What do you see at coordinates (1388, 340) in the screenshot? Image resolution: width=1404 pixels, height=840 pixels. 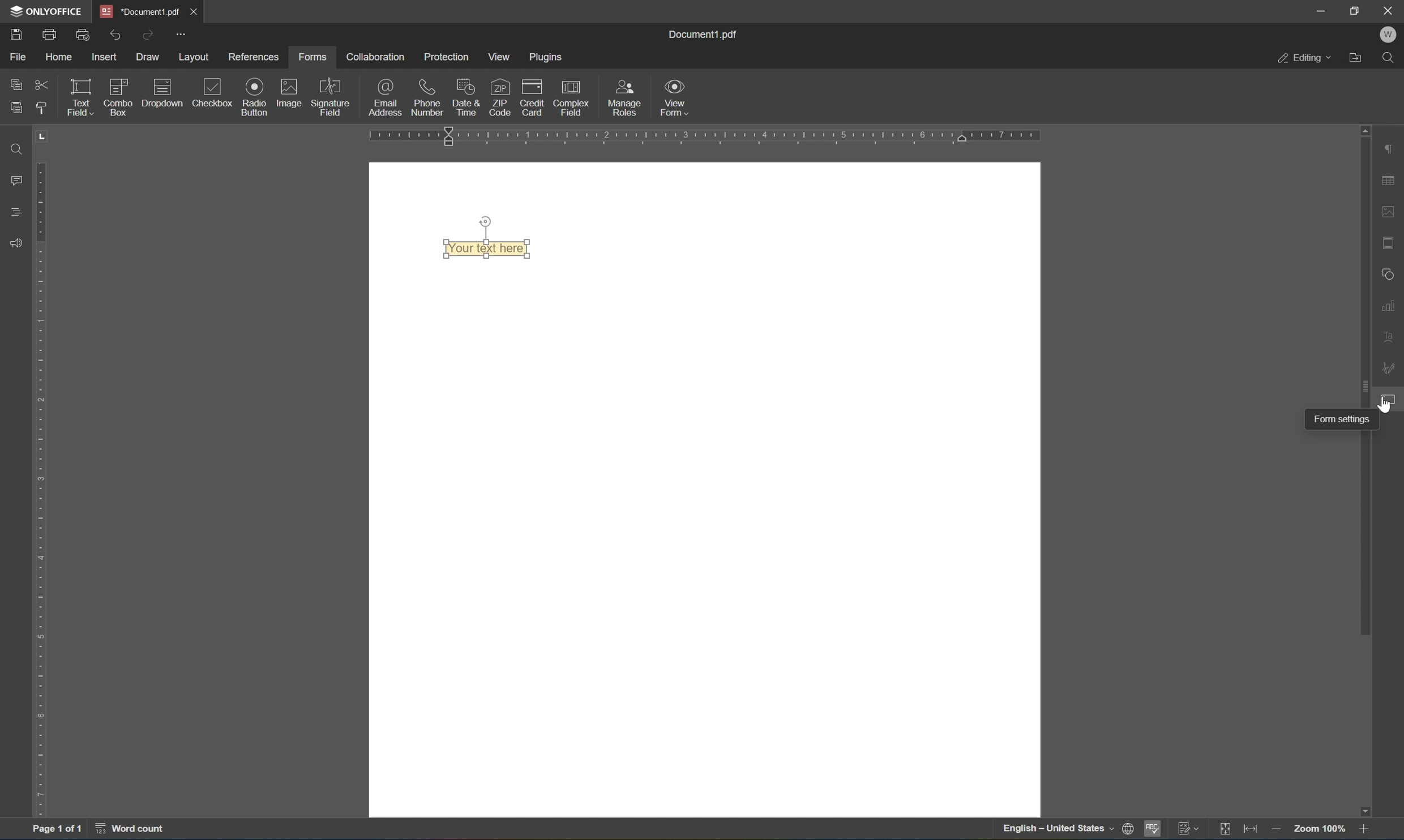 I see `text art settings` at bounding box center [1388, 340].